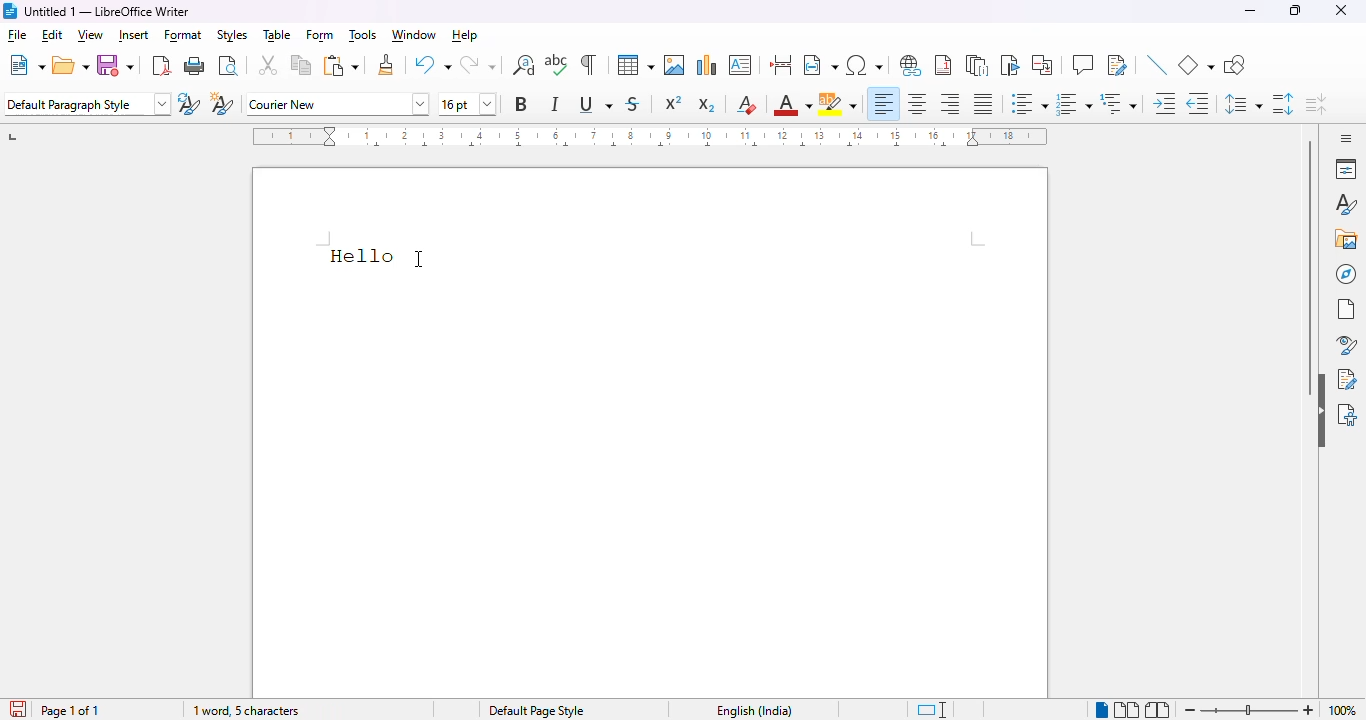  What do you see at coordinates (647, 135) in the screenshot?
I see `ruler` at bounding box center [647, 135].